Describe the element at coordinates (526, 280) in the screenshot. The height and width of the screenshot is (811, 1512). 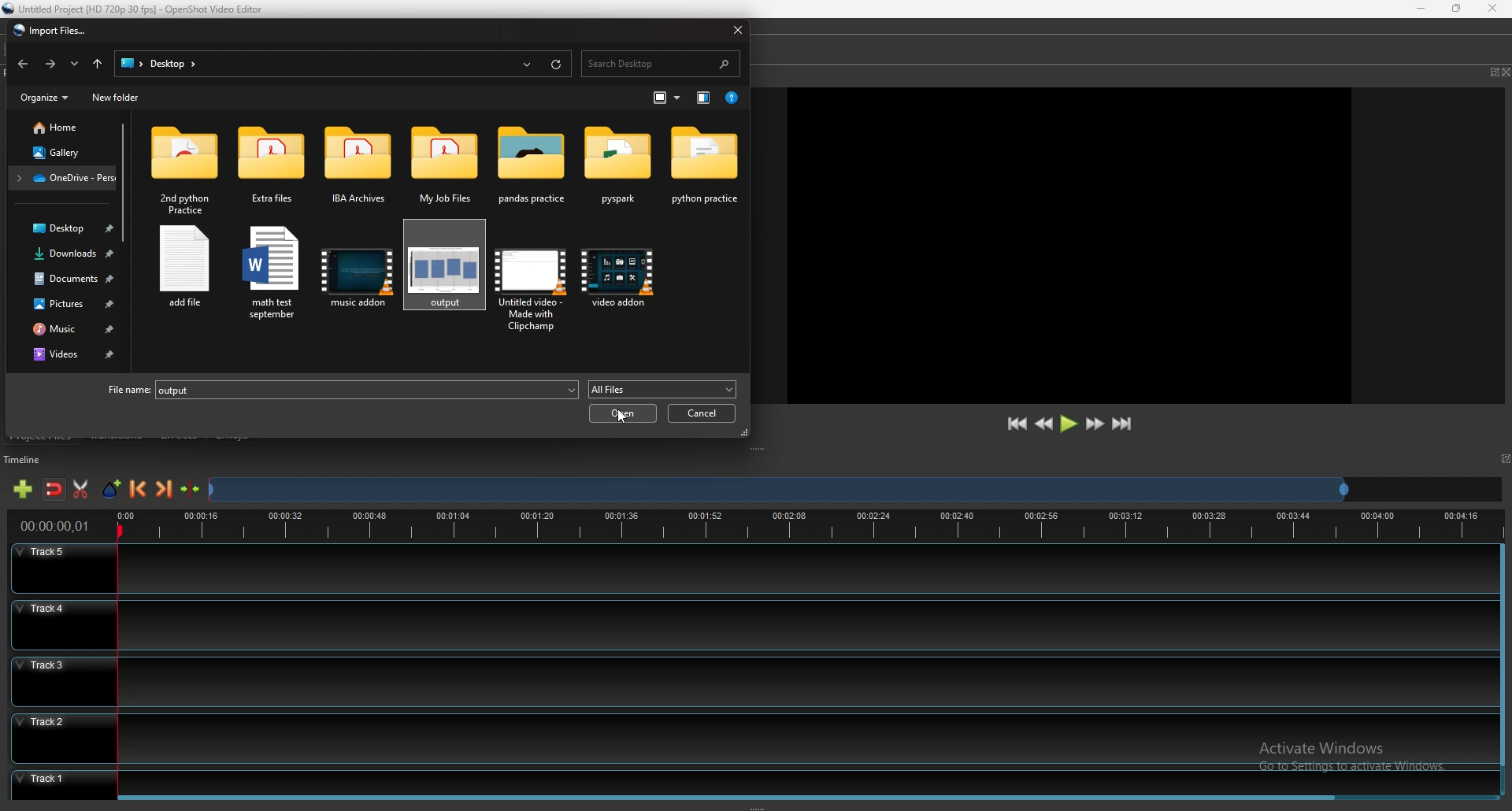
I see `file` at that location.